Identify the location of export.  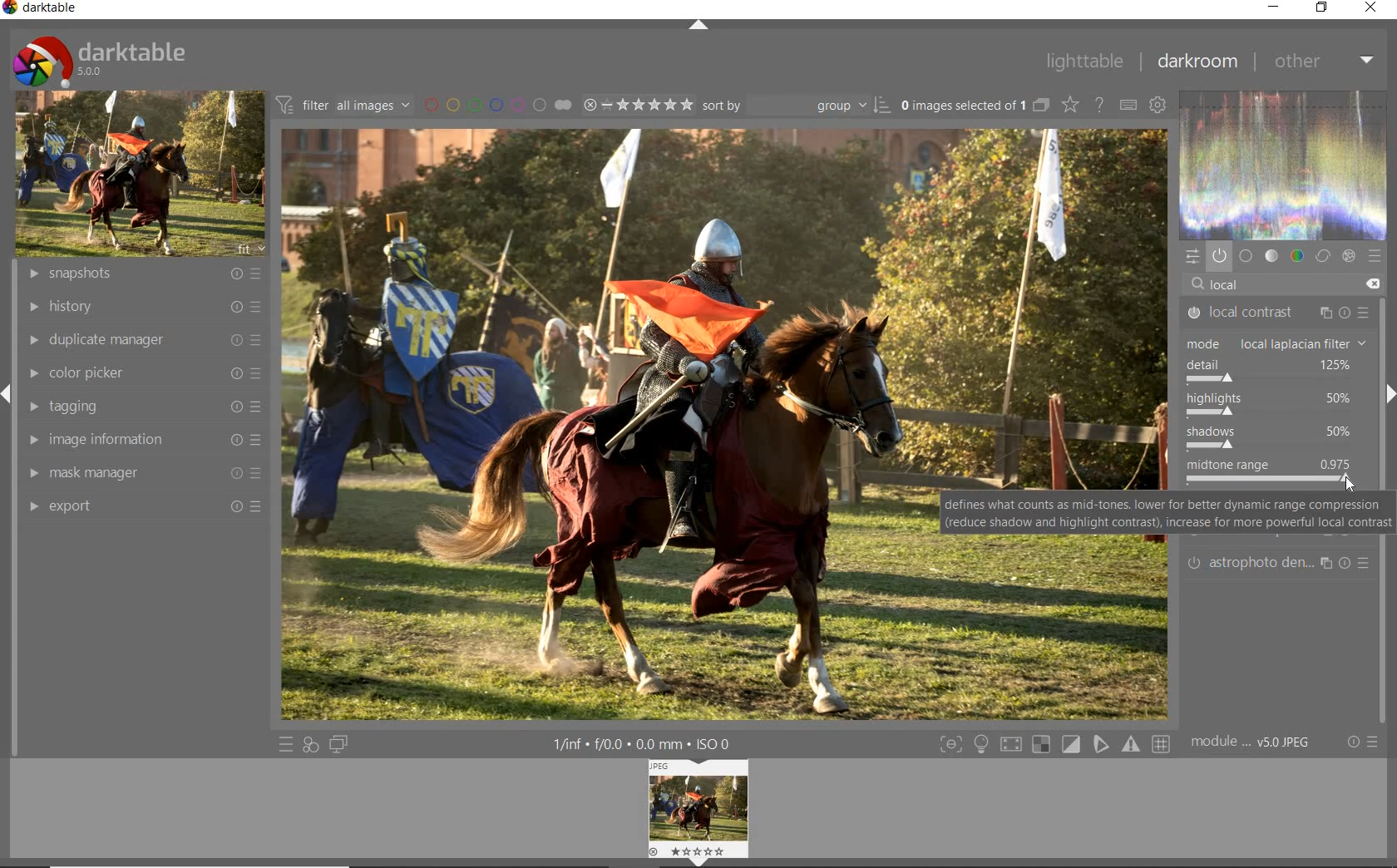
(140, 506).